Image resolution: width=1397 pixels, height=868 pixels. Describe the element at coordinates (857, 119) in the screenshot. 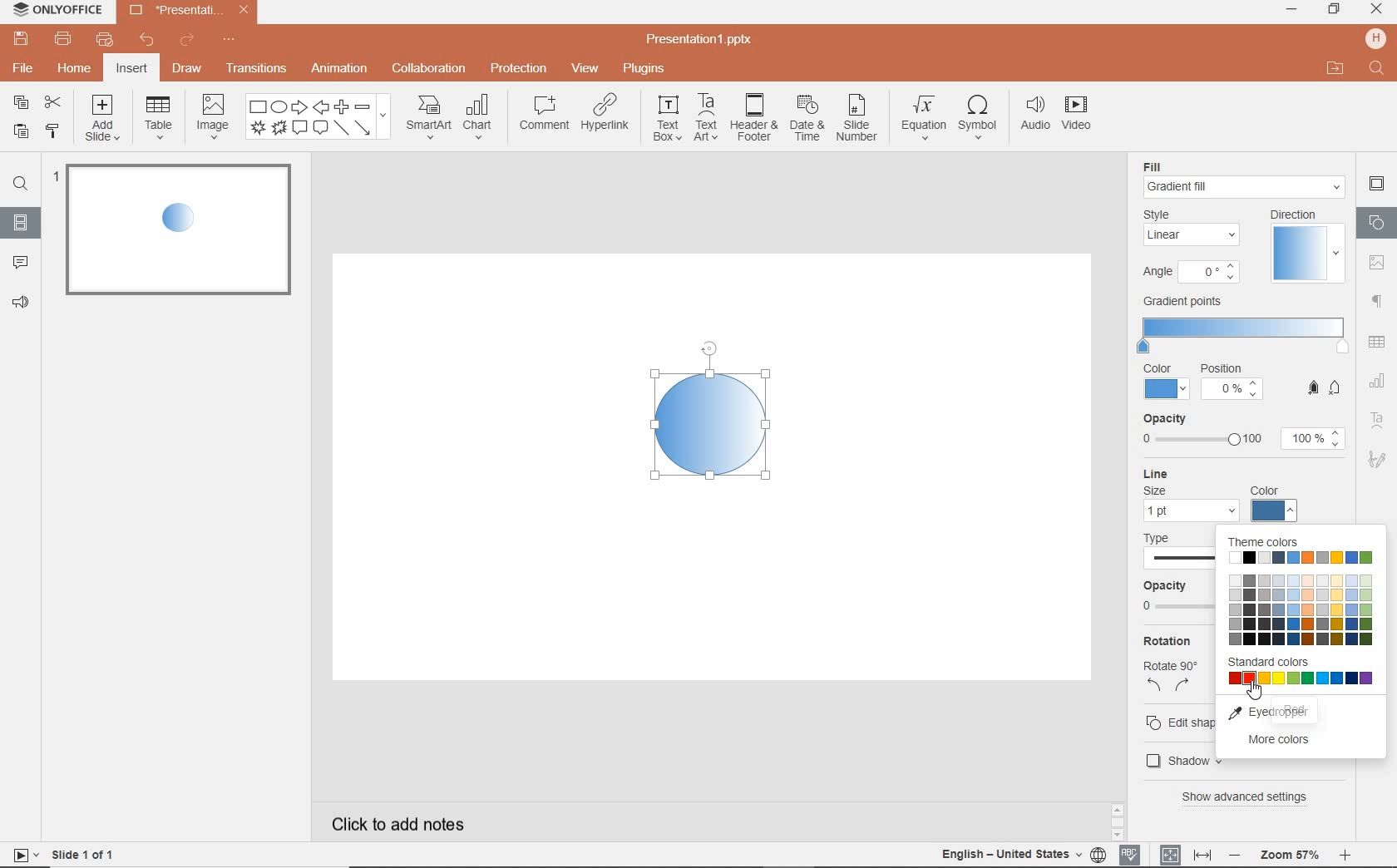

I see `slide number` at that location.